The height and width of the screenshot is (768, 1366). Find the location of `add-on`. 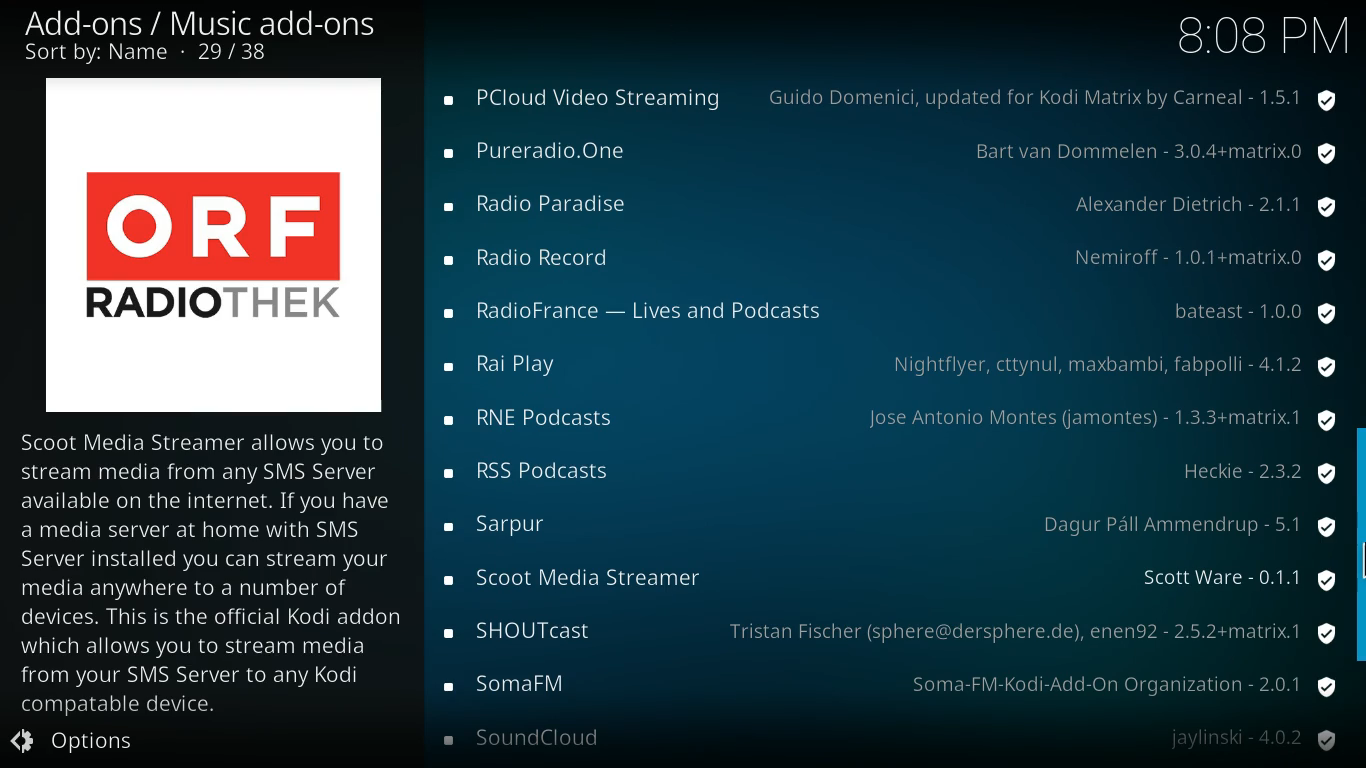

add-on is located at coordinates (506, 524).